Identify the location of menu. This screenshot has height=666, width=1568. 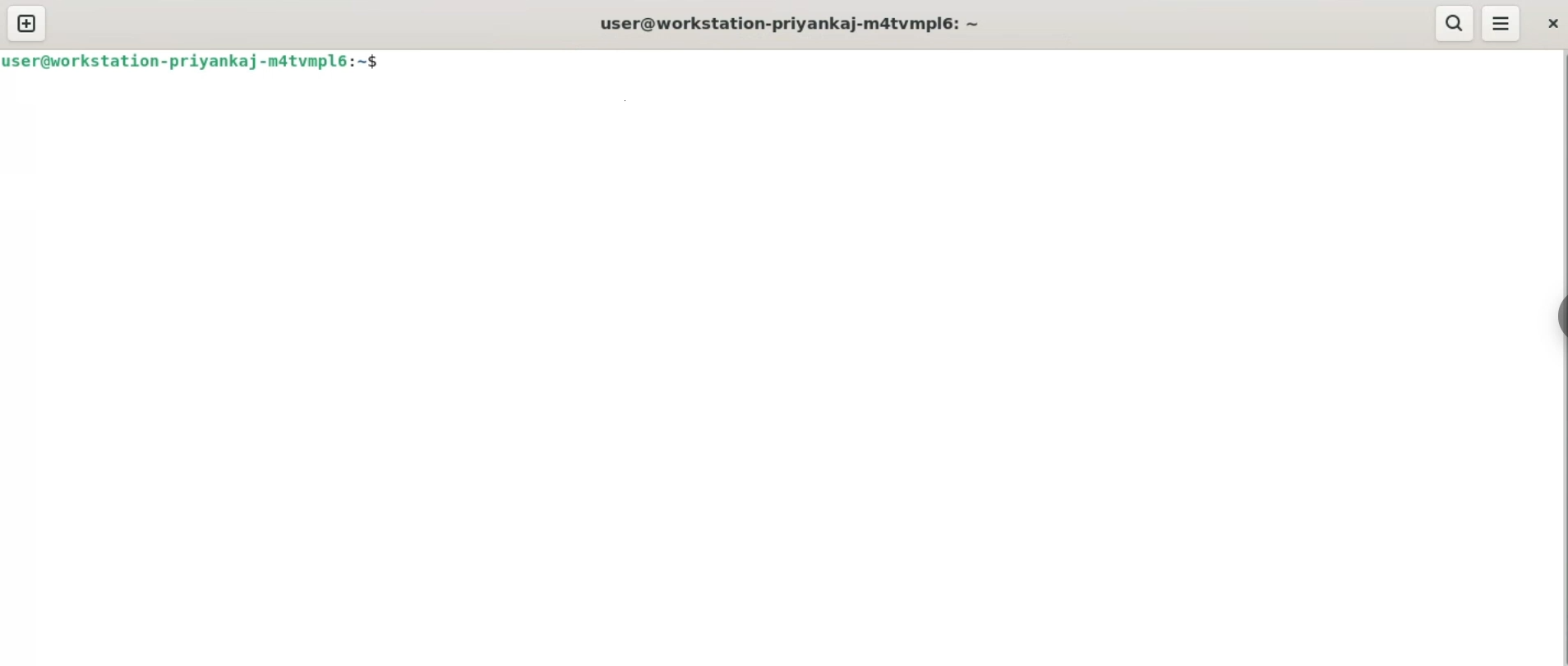
(1502, 23).